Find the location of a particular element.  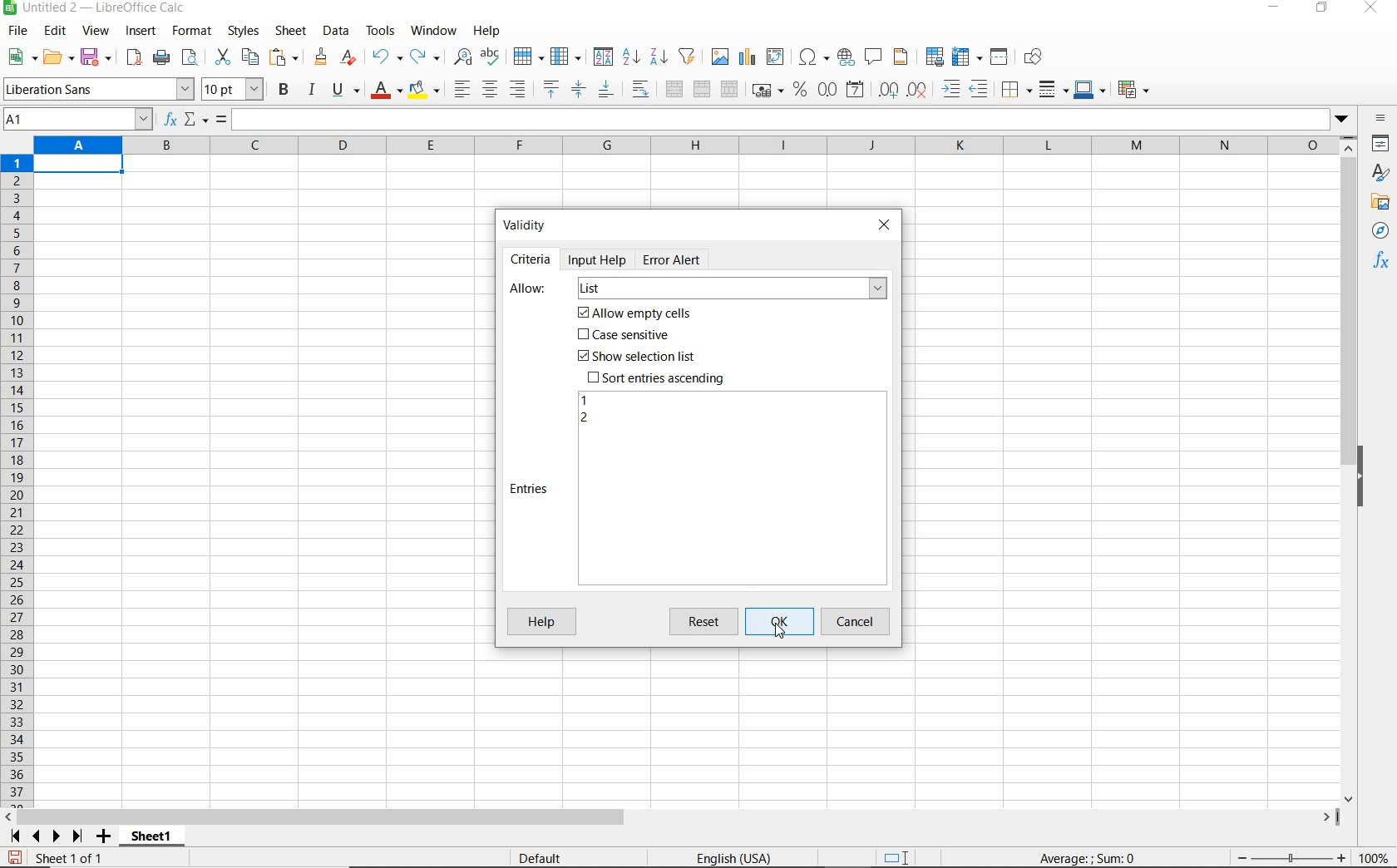

freeze rows and columns is located at coordinates (968, 57).